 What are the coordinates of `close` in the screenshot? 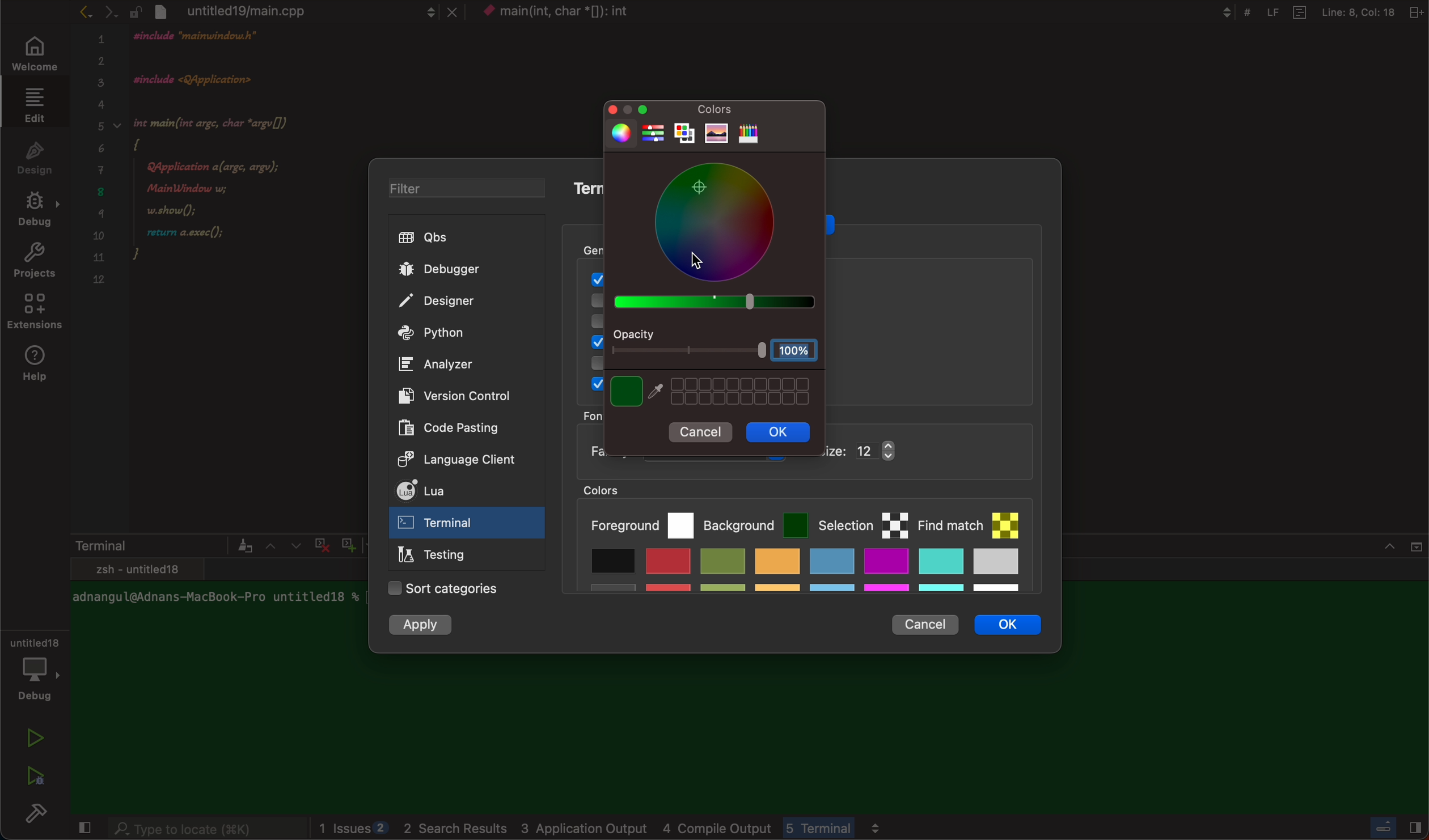 It's located at (82, 829).